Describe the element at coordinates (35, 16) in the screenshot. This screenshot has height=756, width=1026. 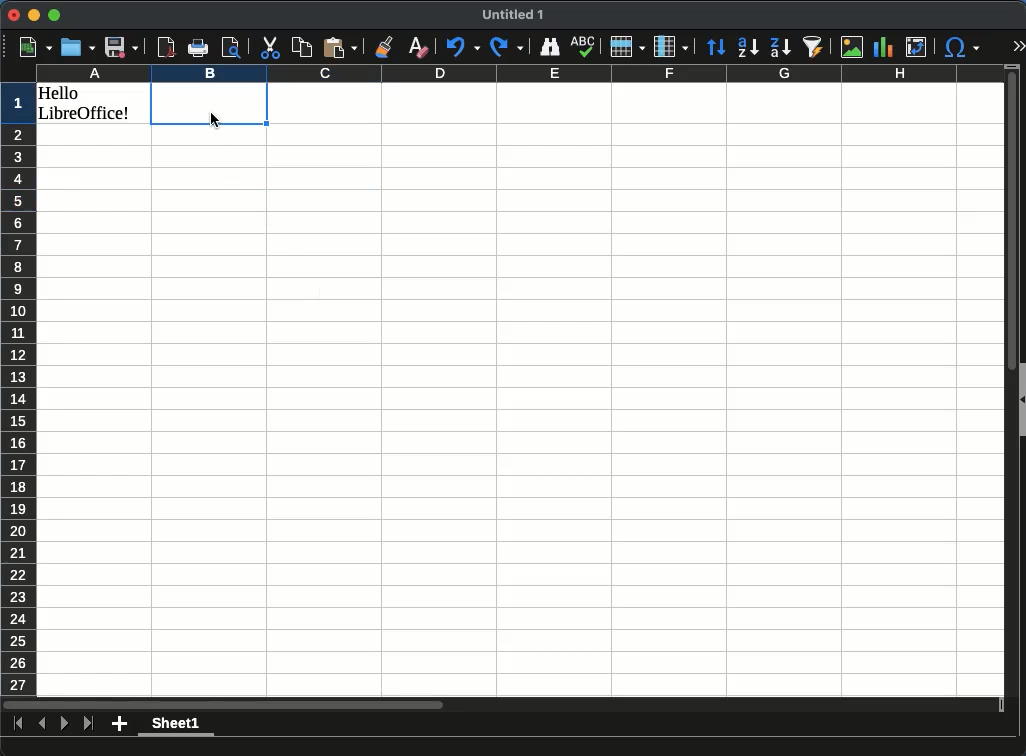
I see `minimize` at that location.